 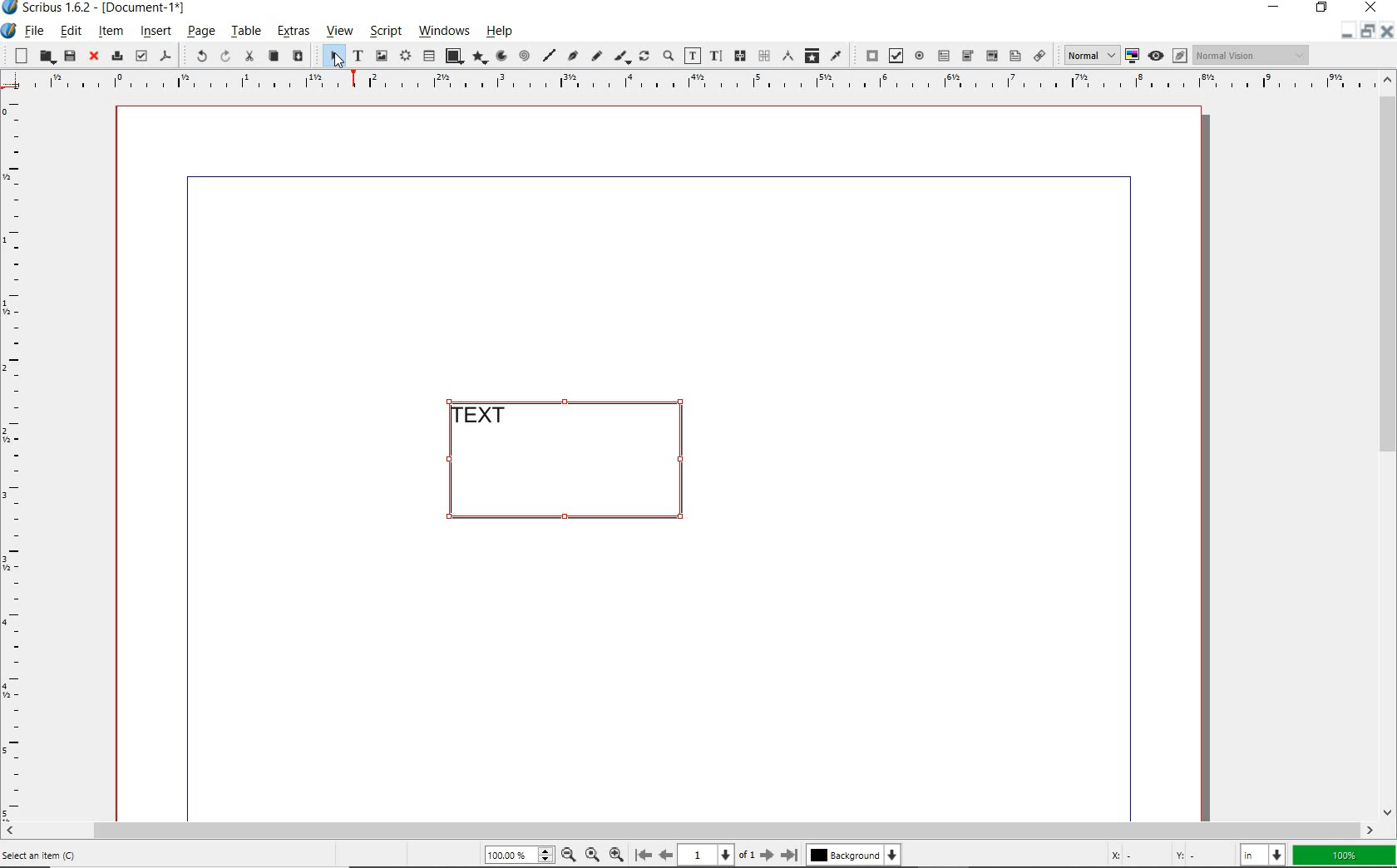 What do you see at coordinates (698, 81) in the screenshot?
I see `Horizontal Margins` at bounding box center [698, 81].